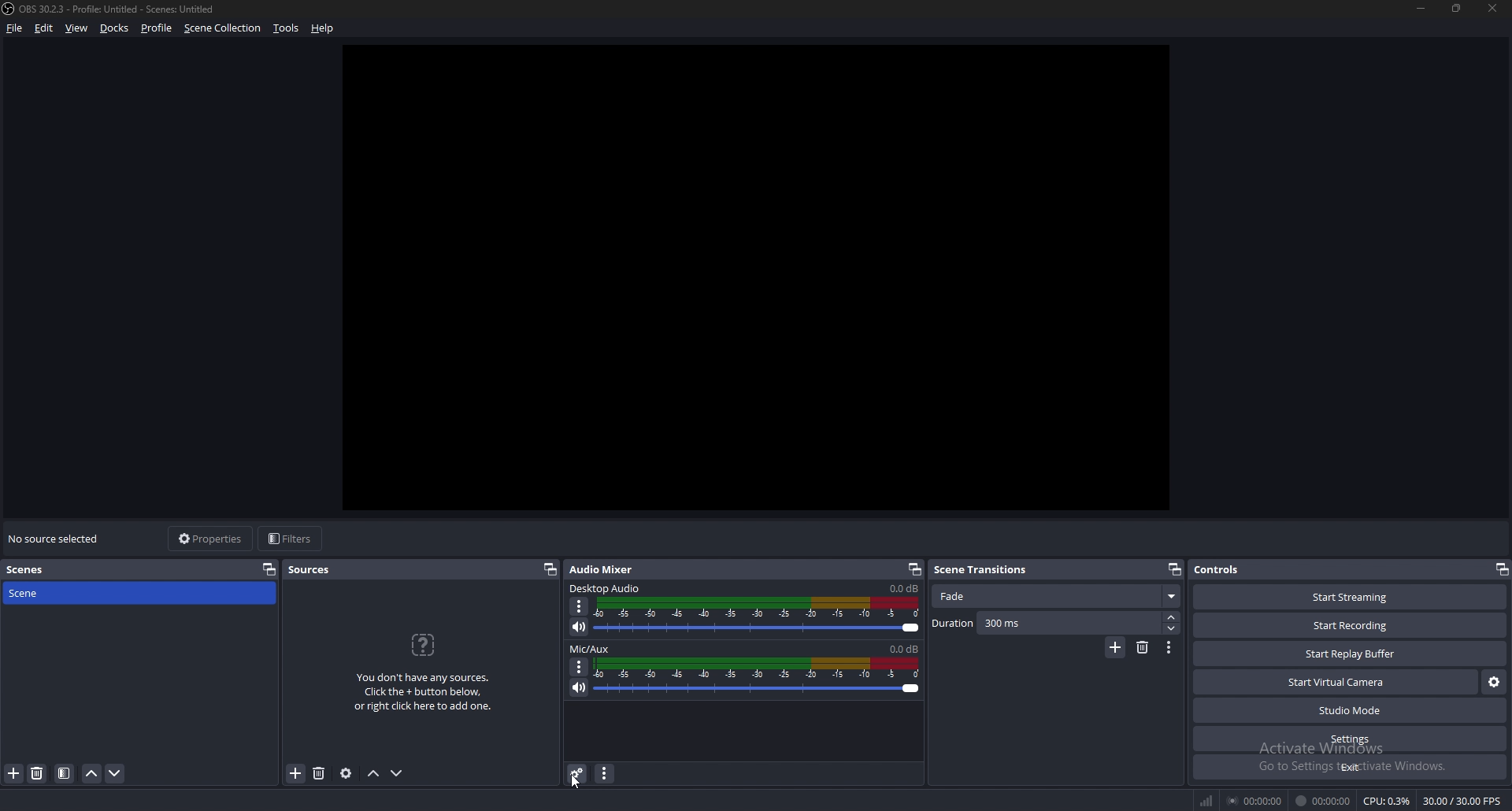 The image size is (1512, 811). What do you see at coordinates (1325, 802) in the screenshot?
I see ` 00:00:00` at bounding box center [1325, 802].